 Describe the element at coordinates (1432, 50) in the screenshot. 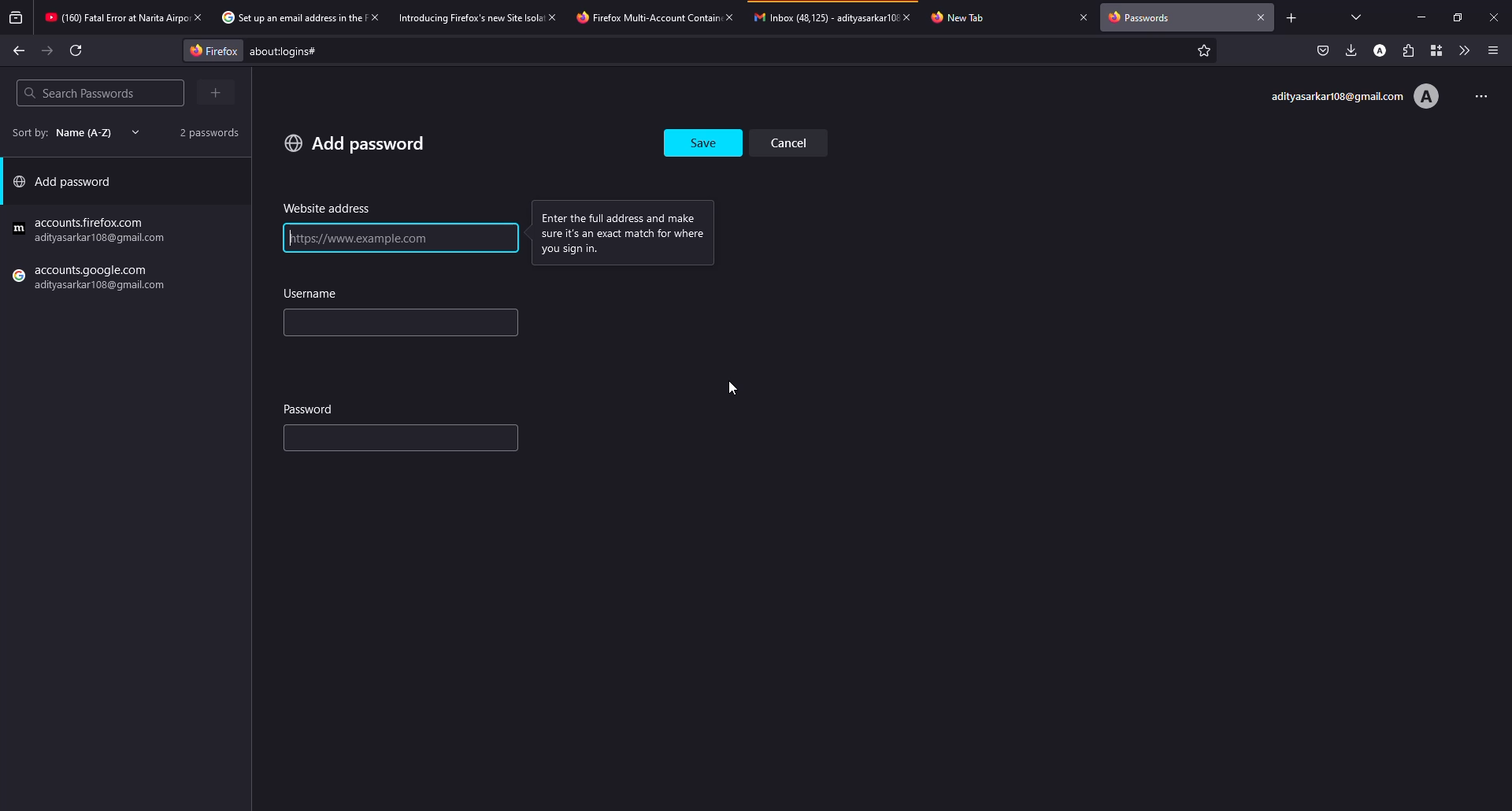

I see `container` at that location.